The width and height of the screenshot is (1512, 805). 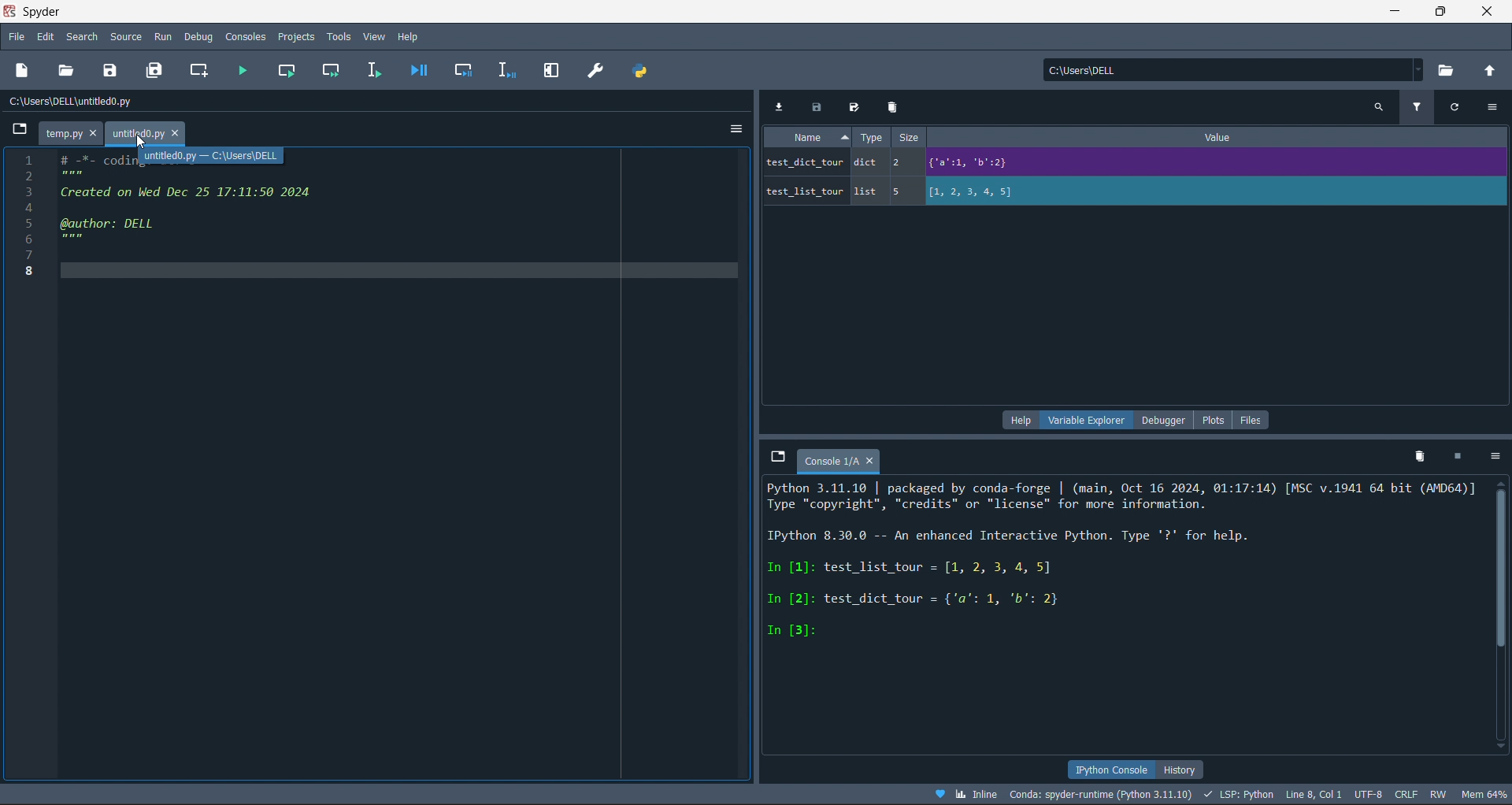 I want to click on options, so click(x=1494, y=455).